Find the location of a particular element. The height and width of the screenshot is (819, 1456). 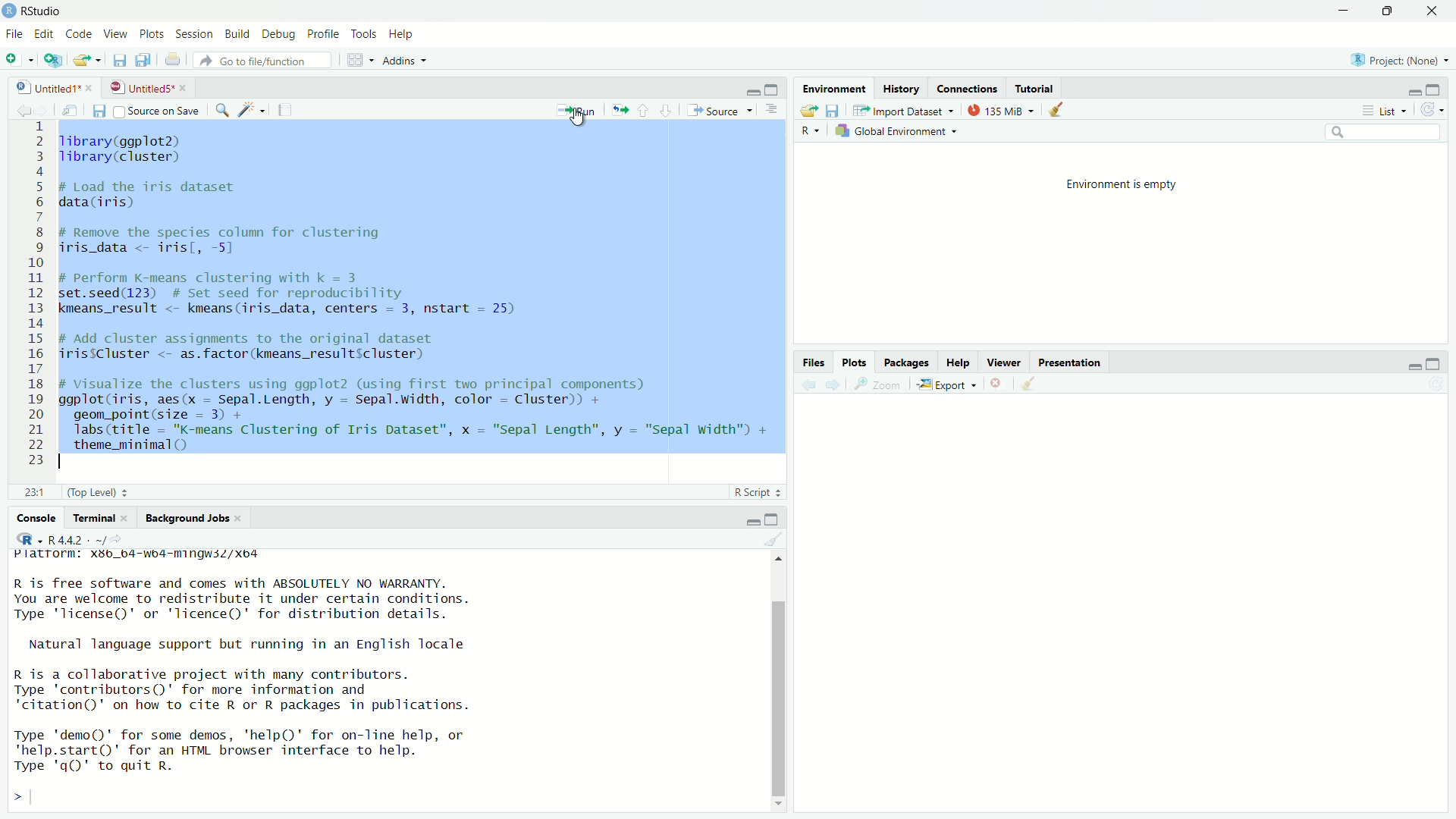

hide document outline is located at coordinates (773, 110).